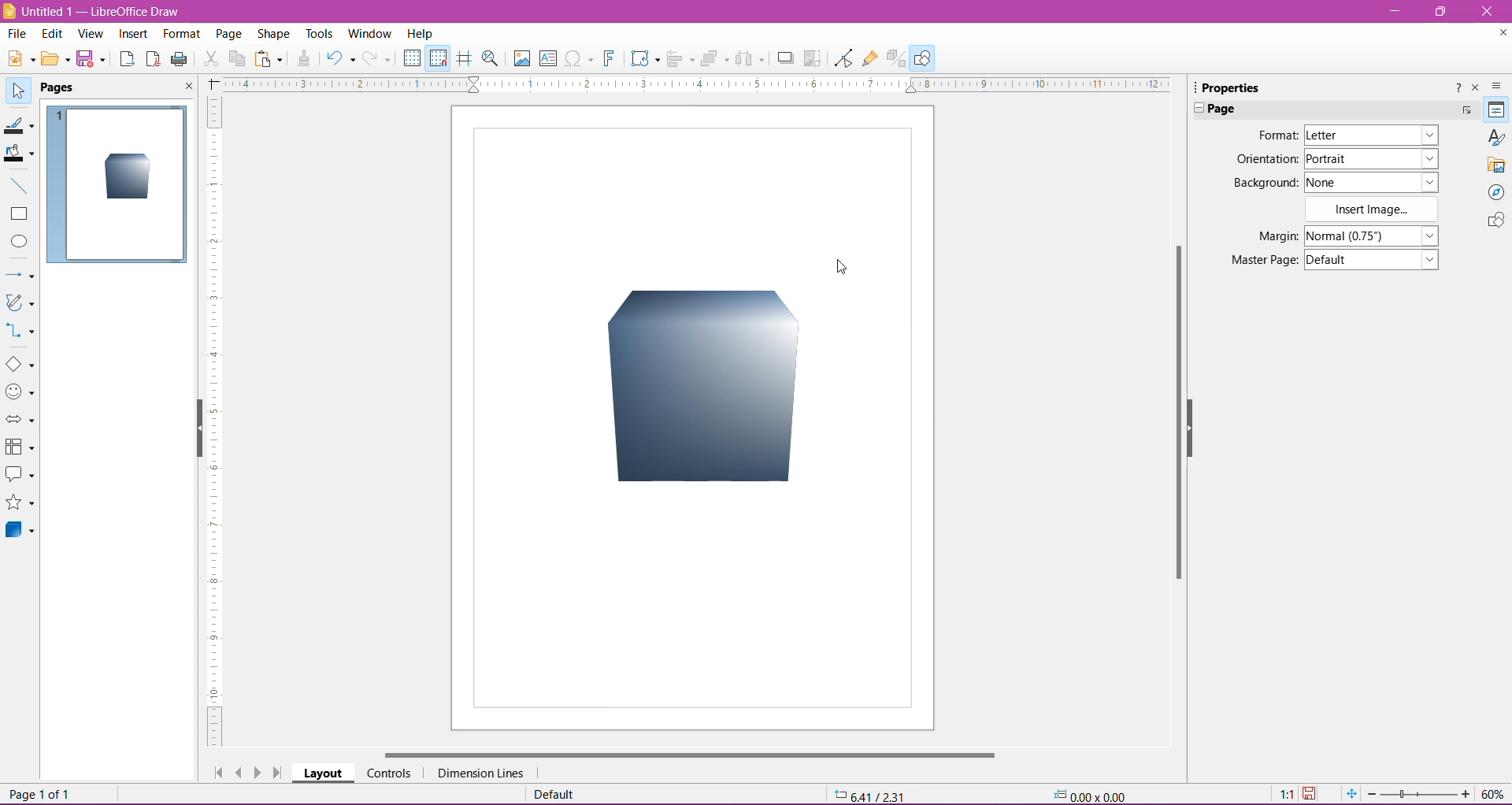 The height and width of the screenshot is (805, 1512). What do you see at coordinates (1228, 87) in the screenshot?
I see `Properties` at bounding box center [1228, 87].